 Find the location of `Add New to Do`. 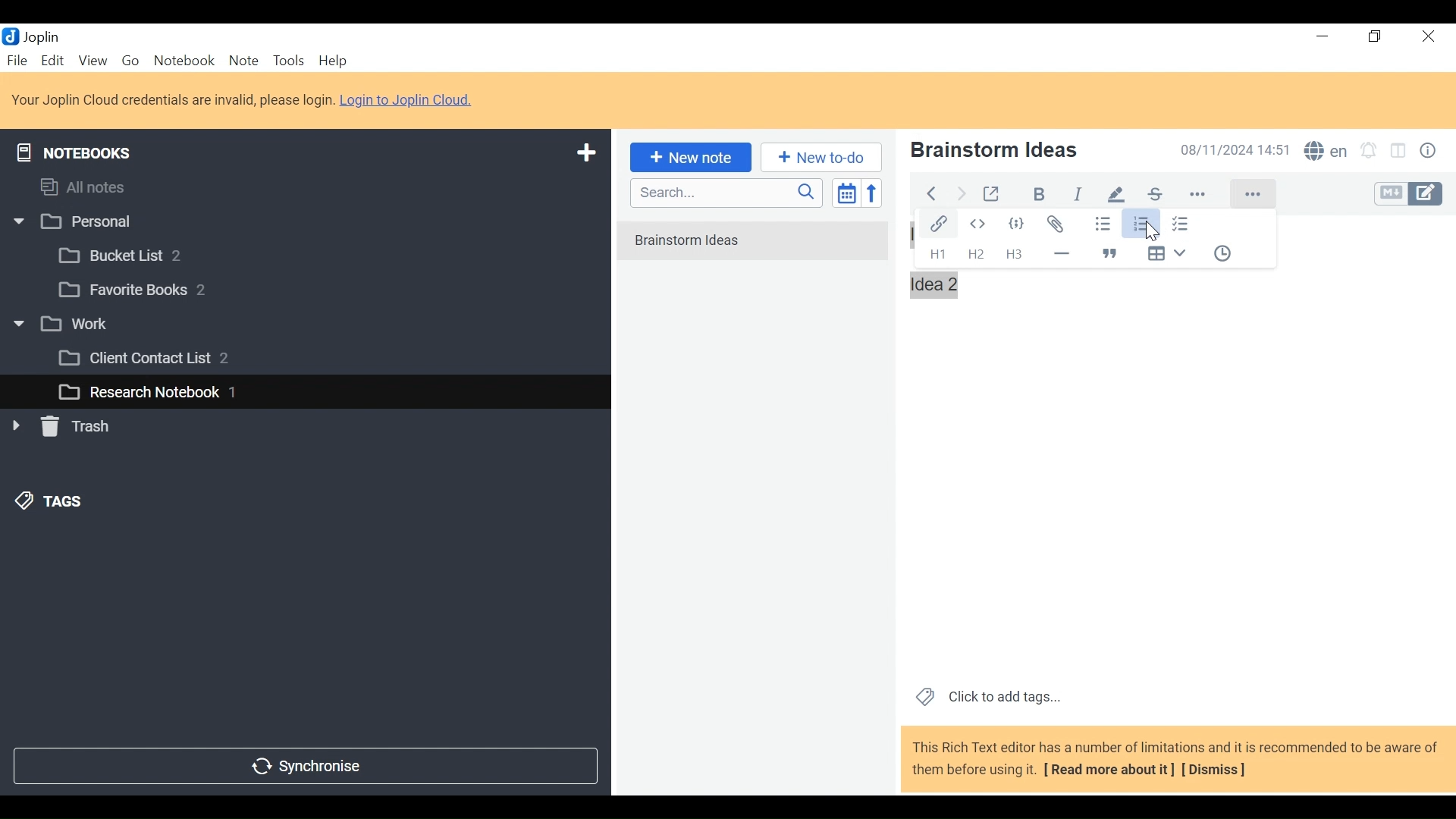

Add New to Do is located at coordinates (821, 158).